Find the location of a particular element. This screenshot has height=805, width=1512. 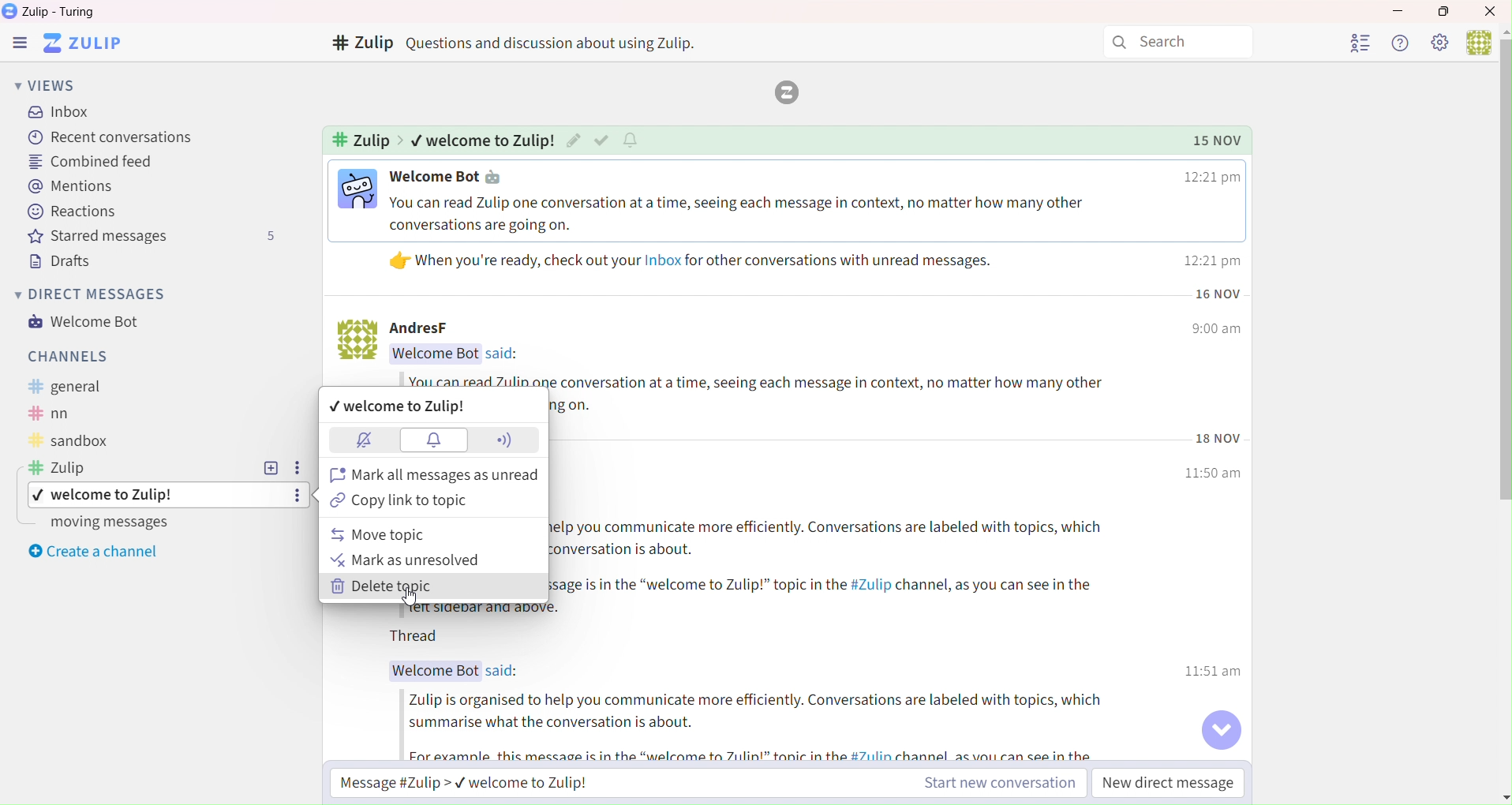

Time is located at coordinates (1211, 177).